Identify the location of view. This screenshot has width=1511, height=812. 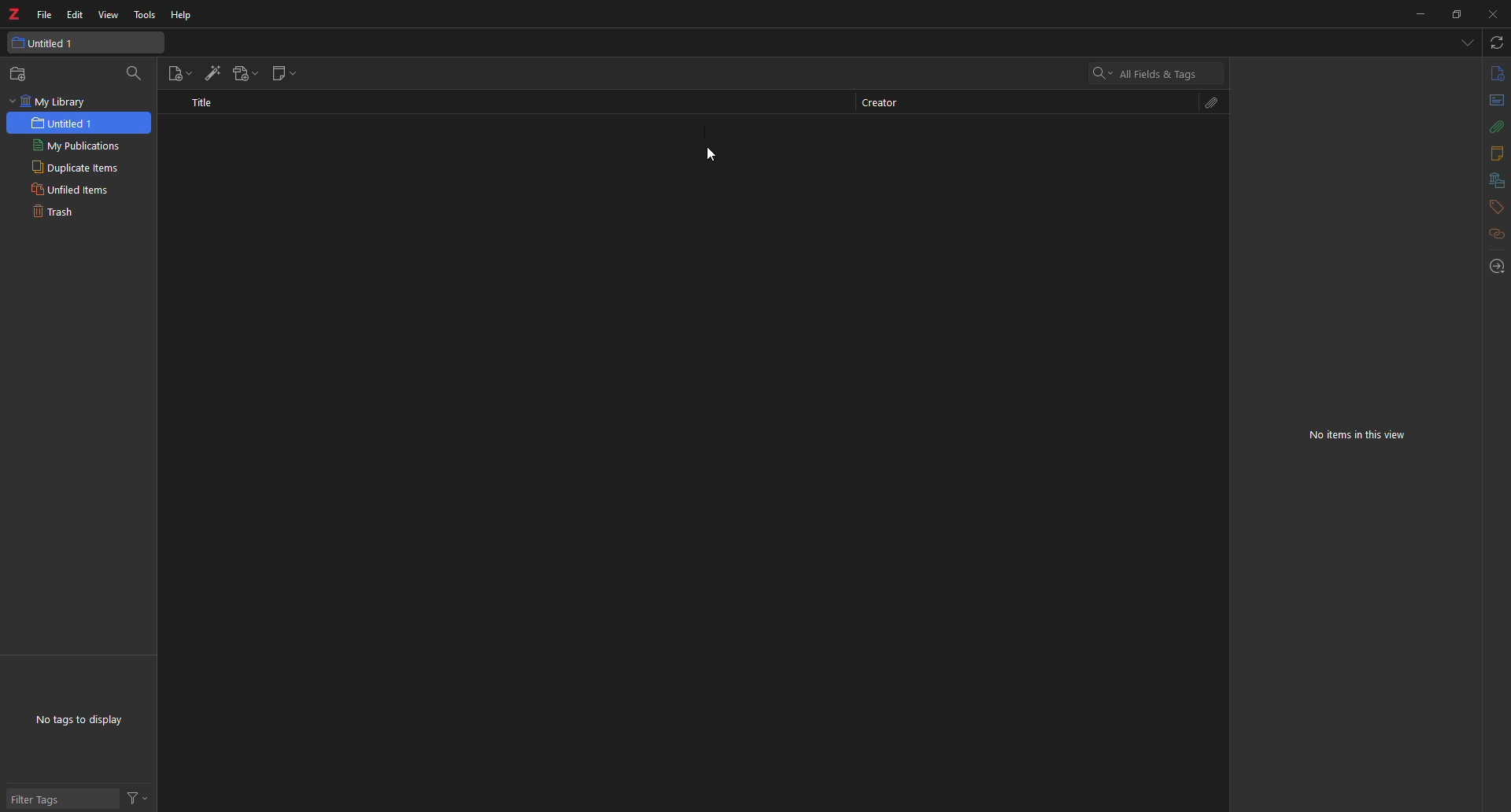
(109, 15).